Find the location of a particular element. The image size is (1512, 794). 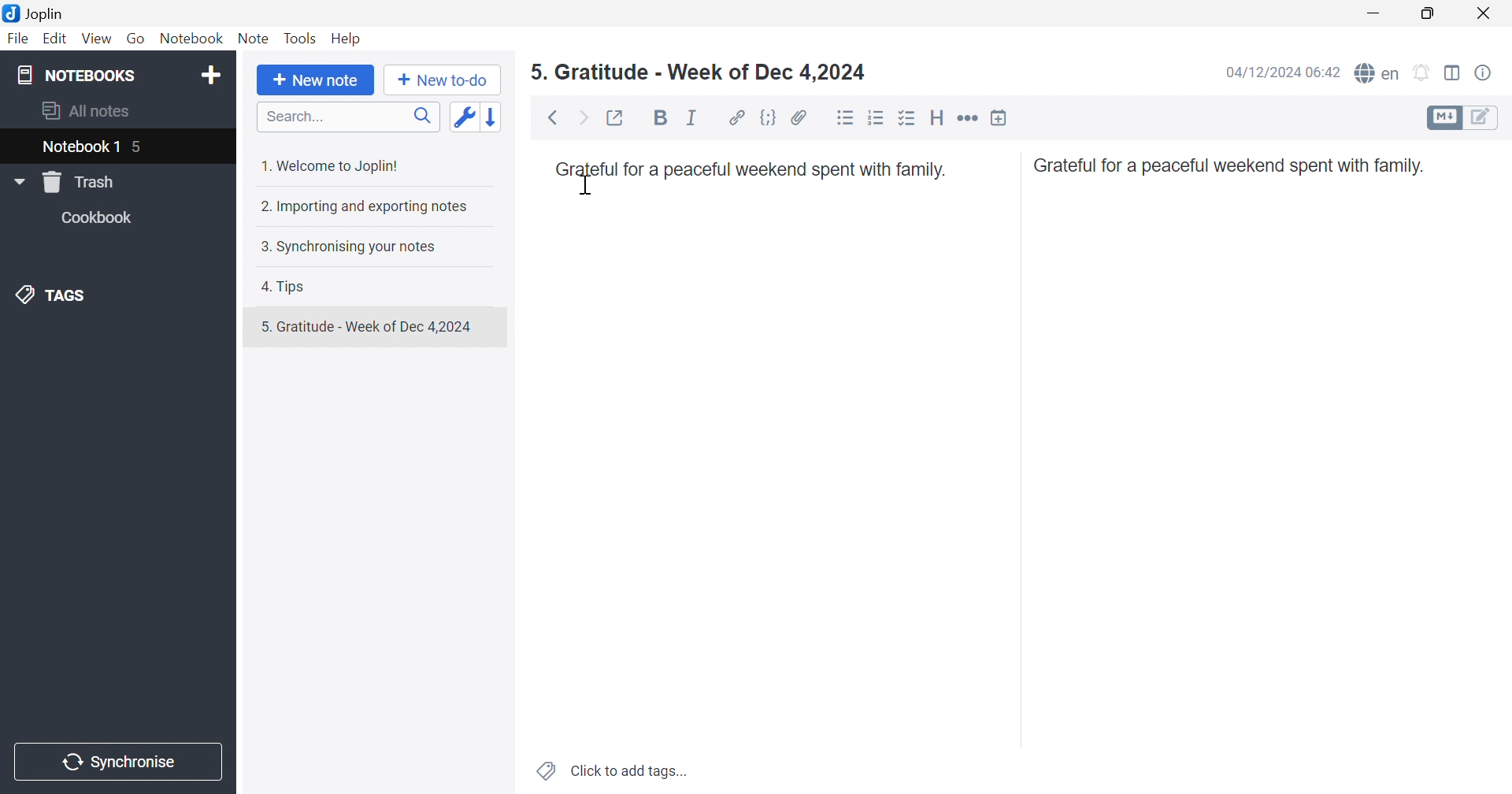

Toggle sort order field is located at coordinates (467, 118).